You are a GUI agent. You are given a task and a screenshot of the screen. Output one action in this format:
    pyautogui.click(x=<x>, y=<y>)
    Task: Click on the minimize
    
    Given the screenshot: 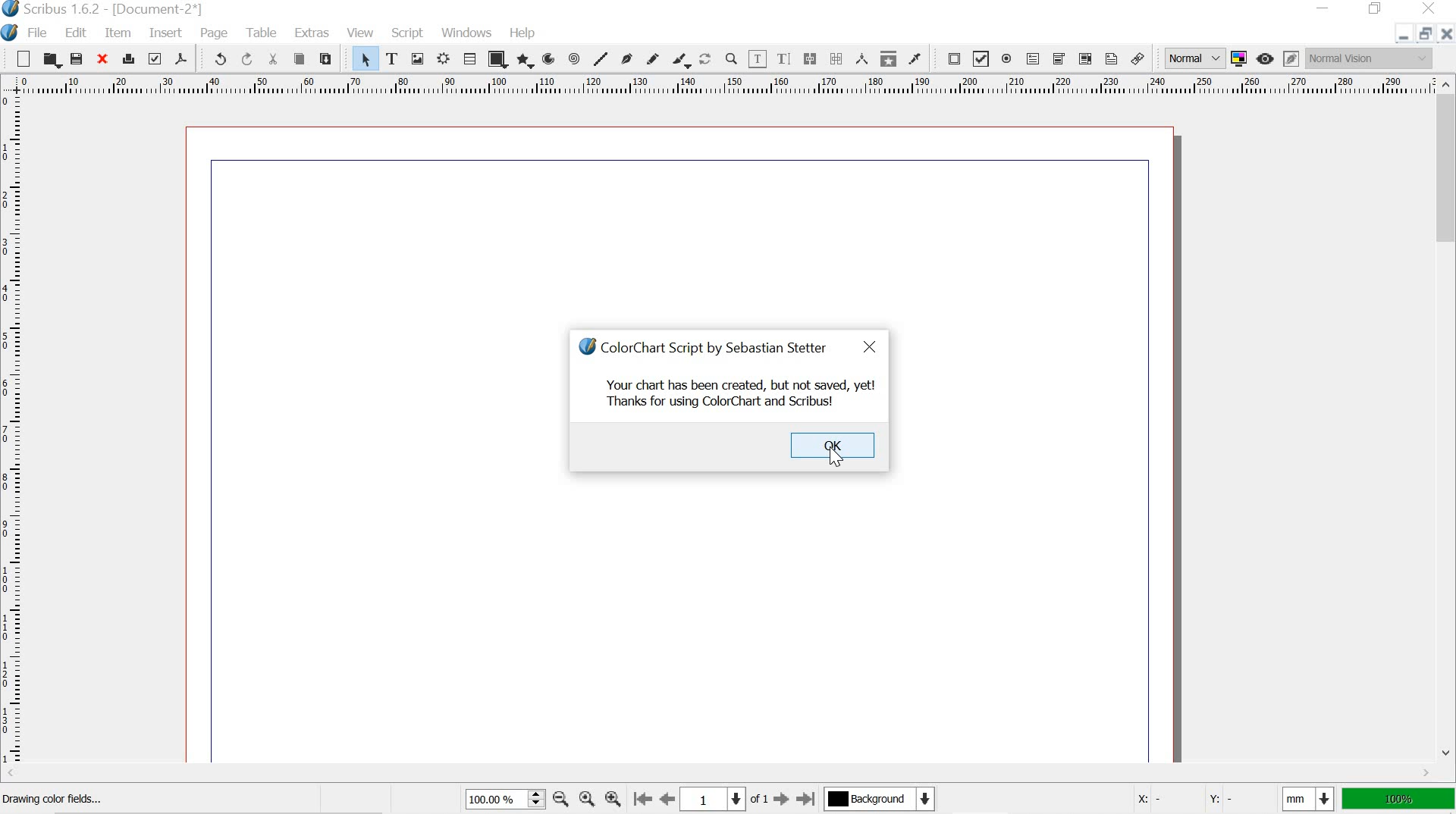 What is the action you would take?
    pyautogui.click(x=1401, y=37)
    